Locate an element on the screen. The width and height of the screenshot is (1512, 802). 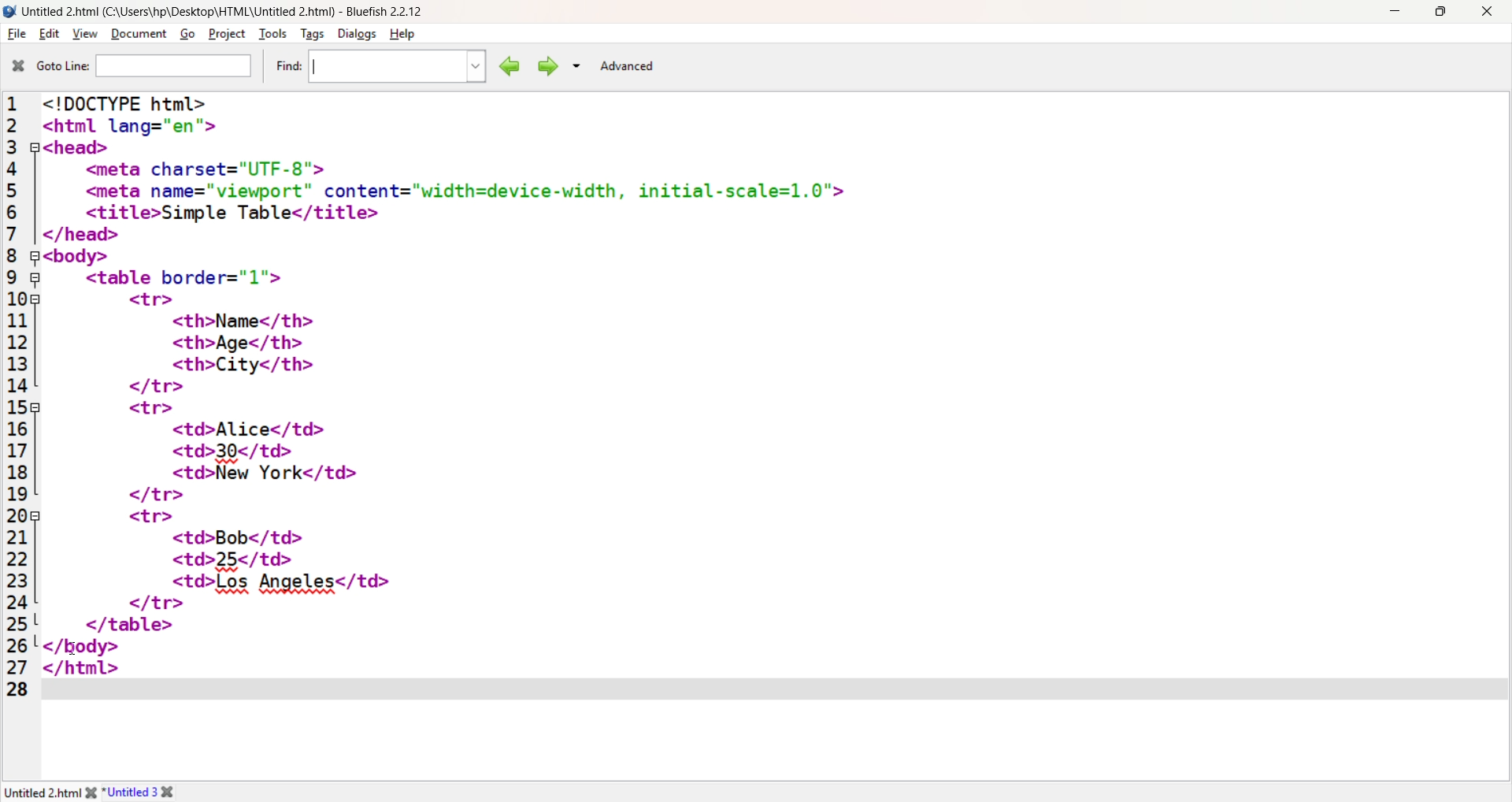
Close Pane is located at coordinates (17, 66).